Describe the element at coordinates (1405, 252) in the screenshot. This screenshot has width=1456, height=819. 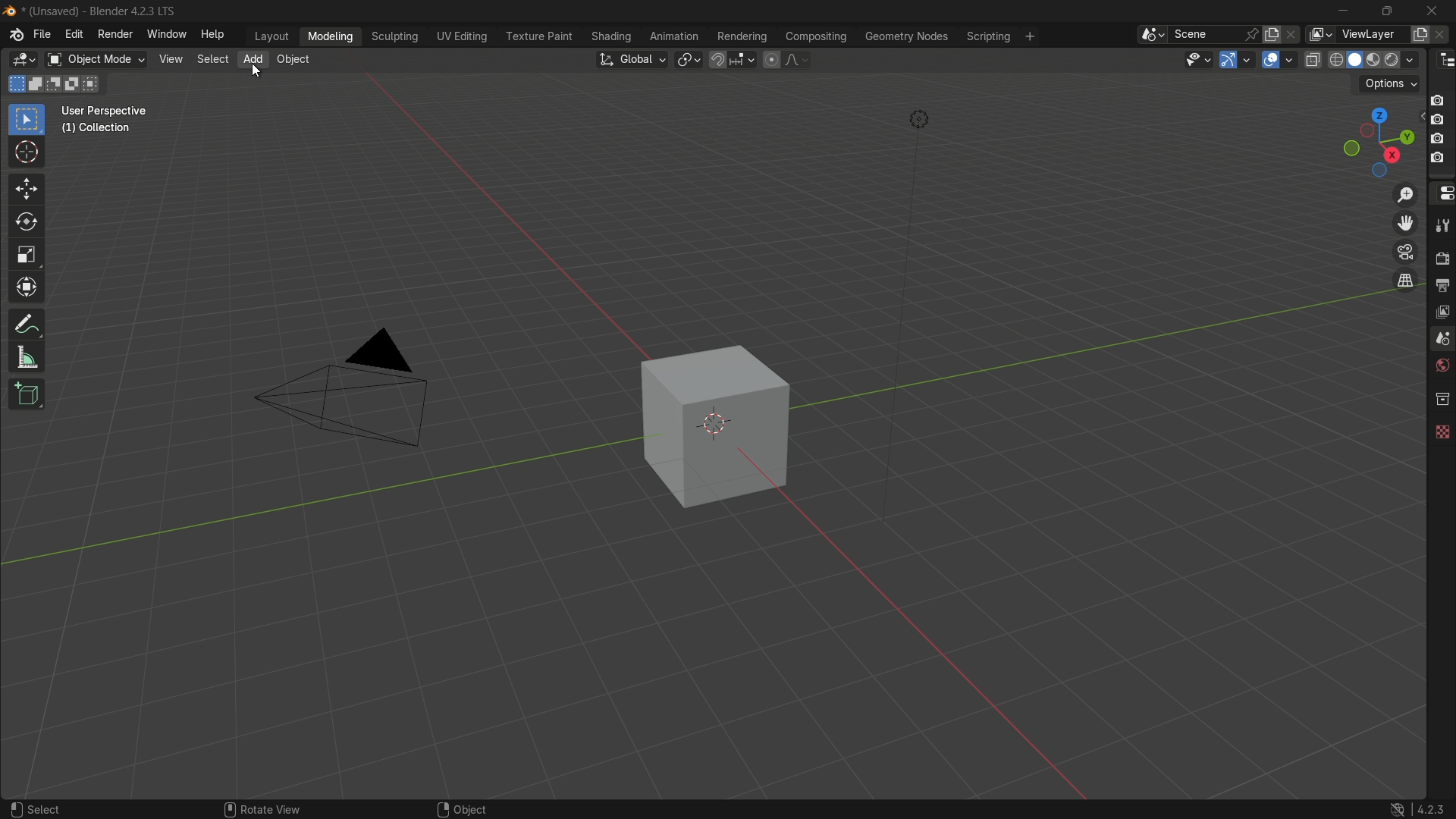
I see `toggle the camera view` at that location.